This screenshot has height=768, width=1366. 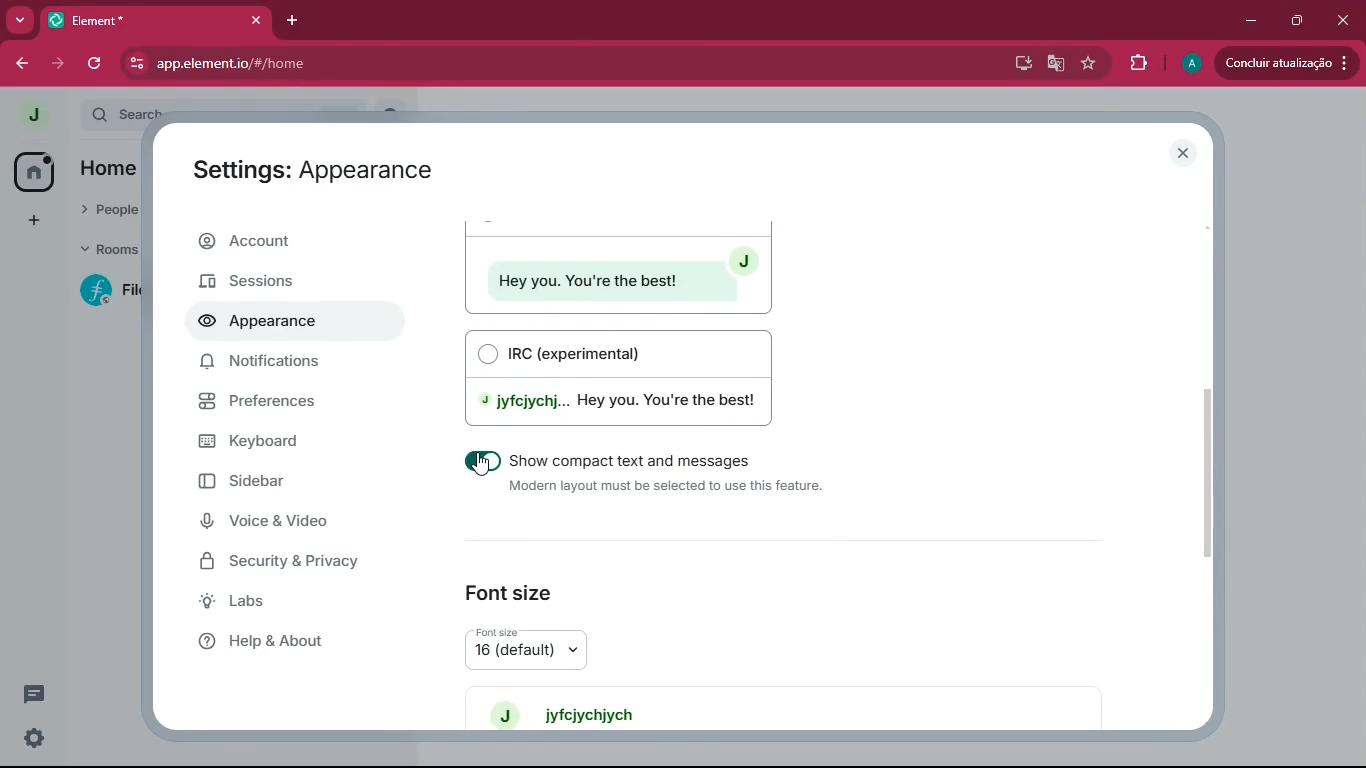 What do you see at coordinates (295, 16) in the screenshot?
I see `add tab` at bounding box center [295, 16].